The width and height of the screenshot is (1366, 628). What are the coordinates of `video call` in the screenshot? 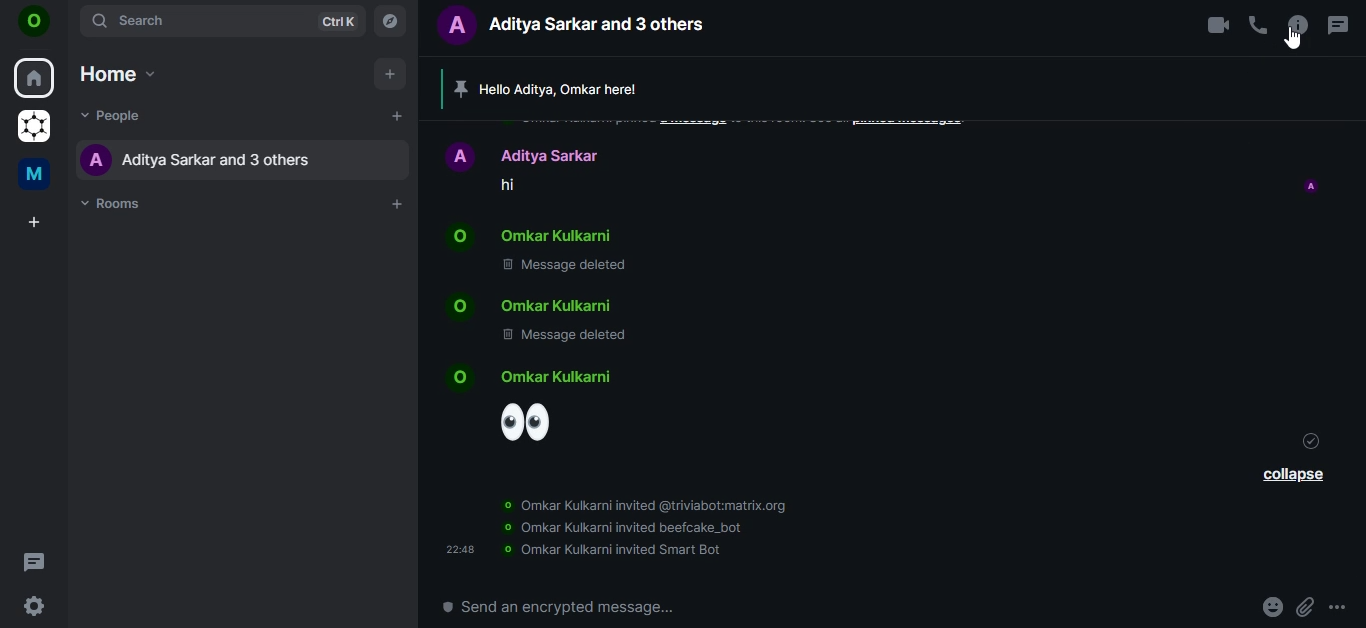 It's located at (1215, 24).